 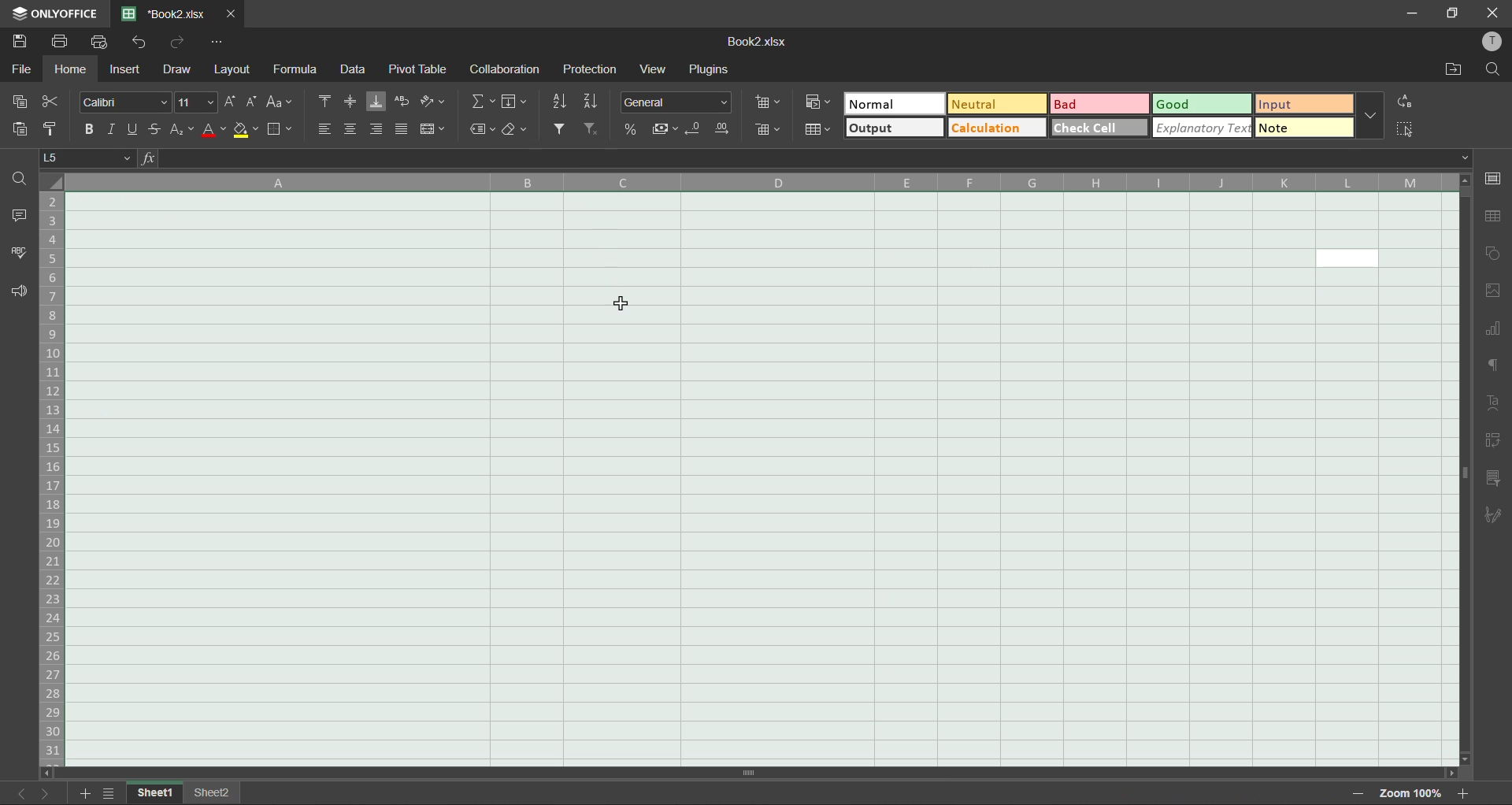 I want to click on normal, so click(x=894, y=102).